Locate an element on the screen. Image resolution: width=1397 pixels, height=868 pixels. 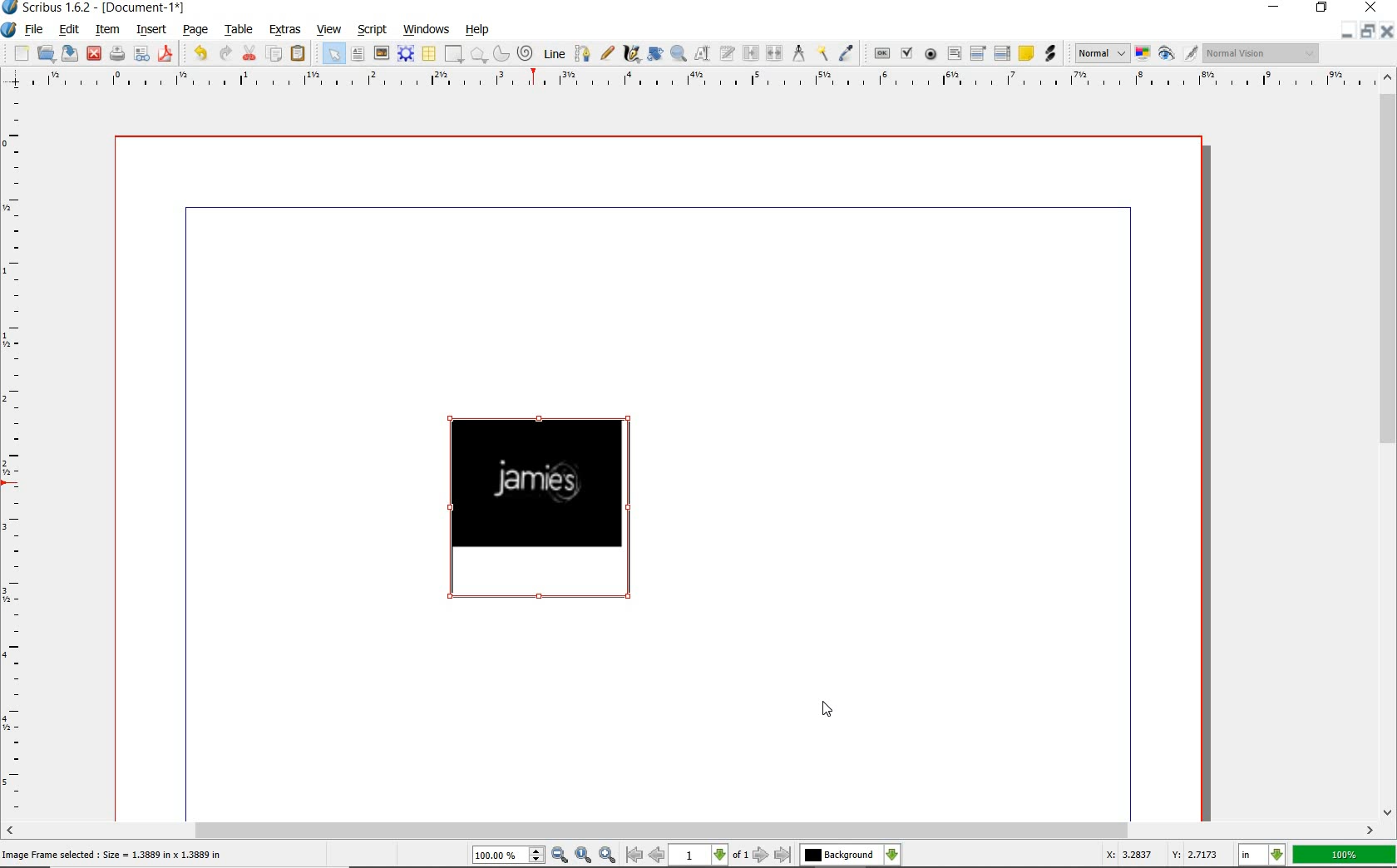
image frame is located at coordinates (381, 53).